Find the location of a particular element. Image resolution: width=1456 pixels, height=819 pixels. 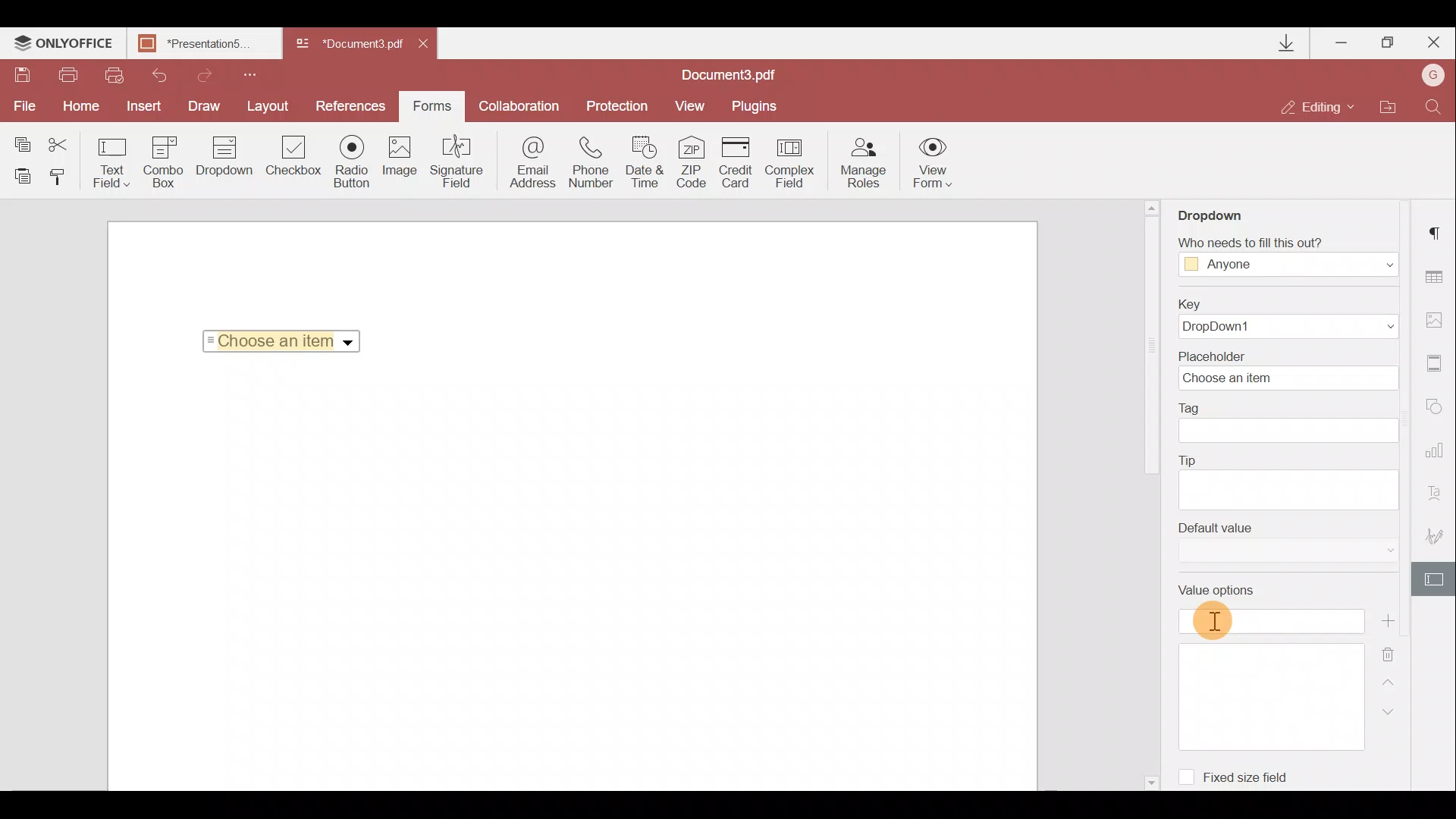

References is located at coordinates (353, 105).